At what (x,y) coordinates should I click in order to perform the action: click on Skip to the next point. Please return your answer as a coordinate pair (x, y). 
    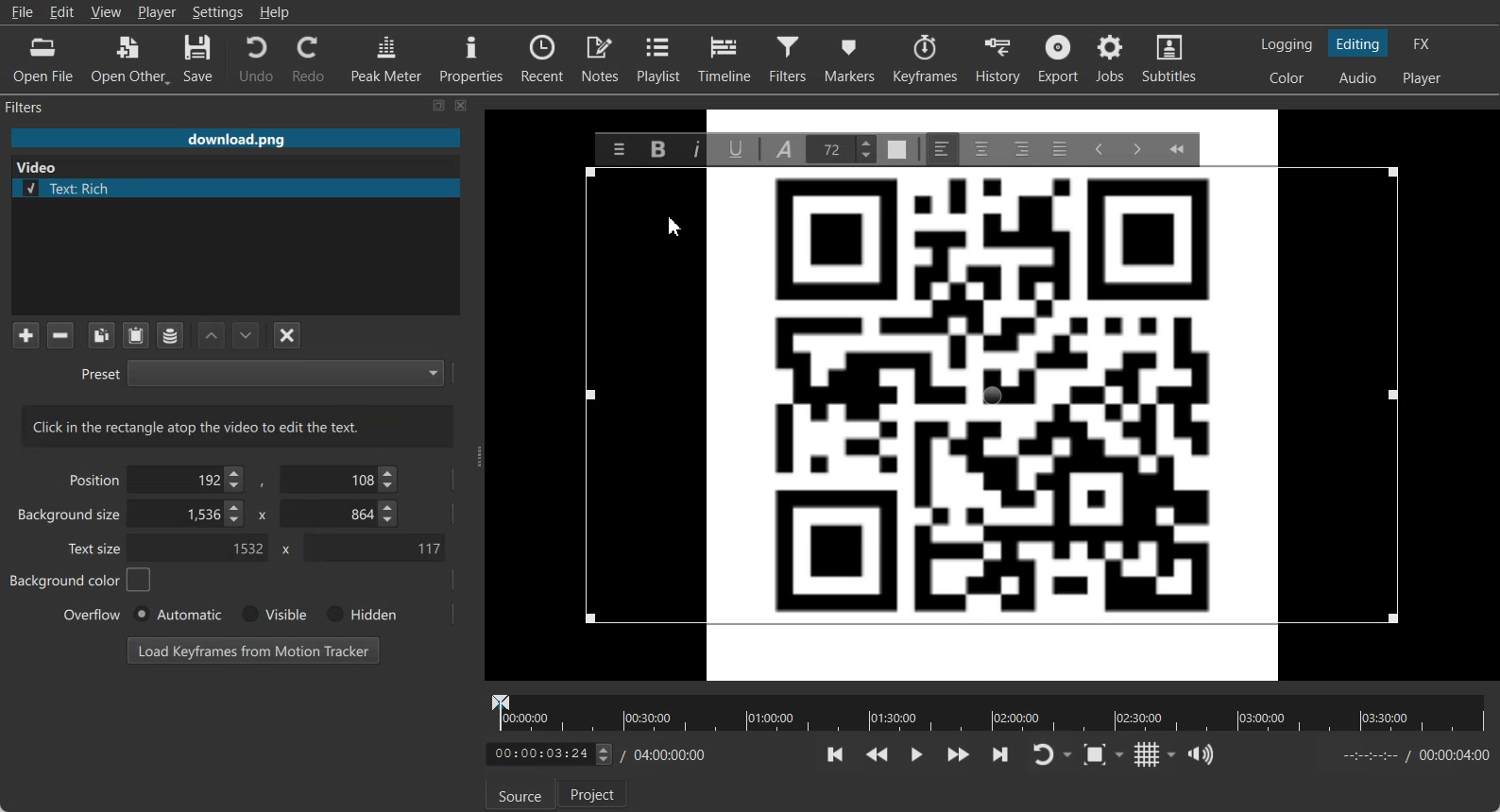
    Looking at the image, I should click on (999, 753).